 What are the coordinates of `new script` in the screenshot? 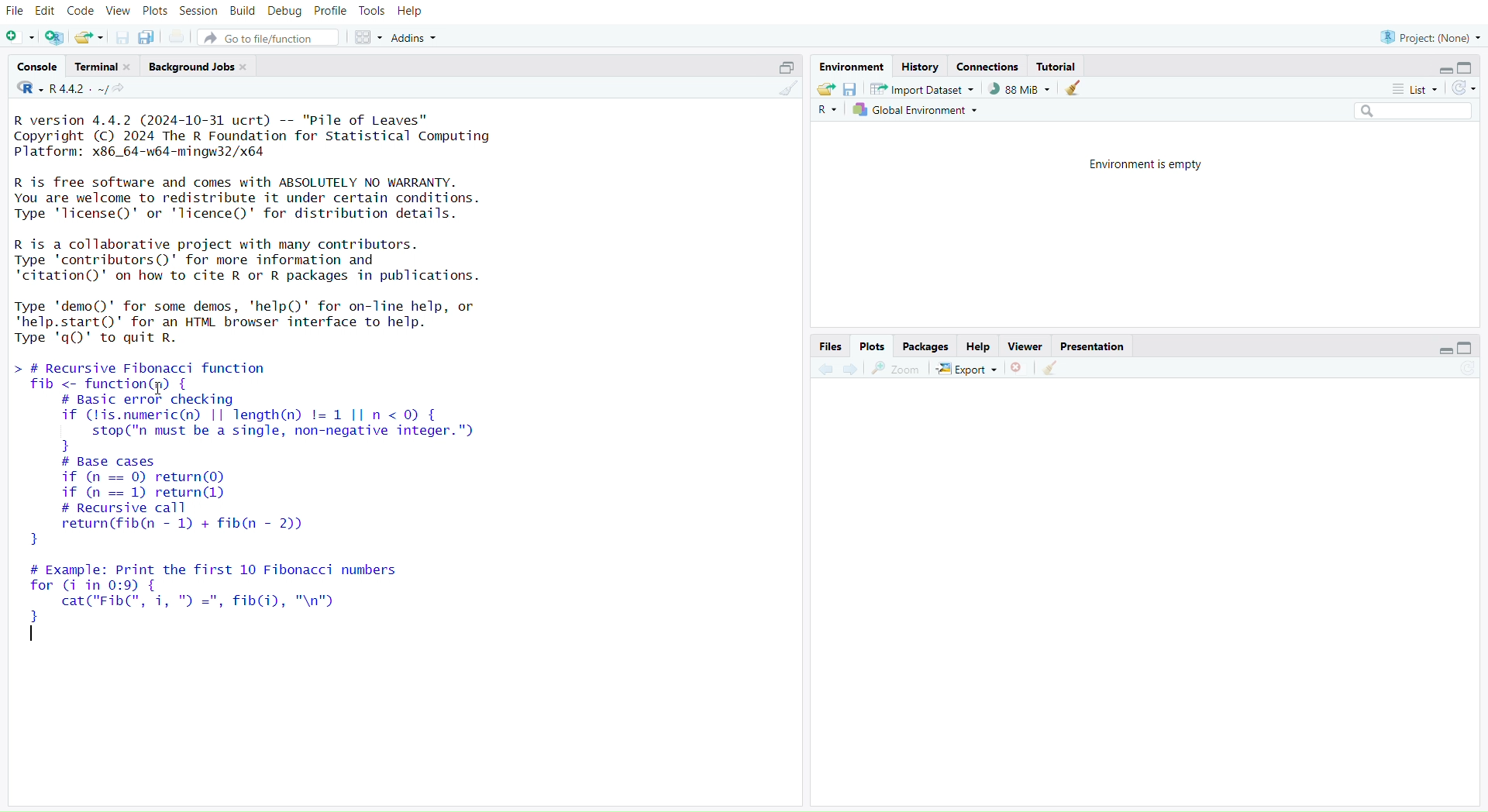 It's located at (20, 39).